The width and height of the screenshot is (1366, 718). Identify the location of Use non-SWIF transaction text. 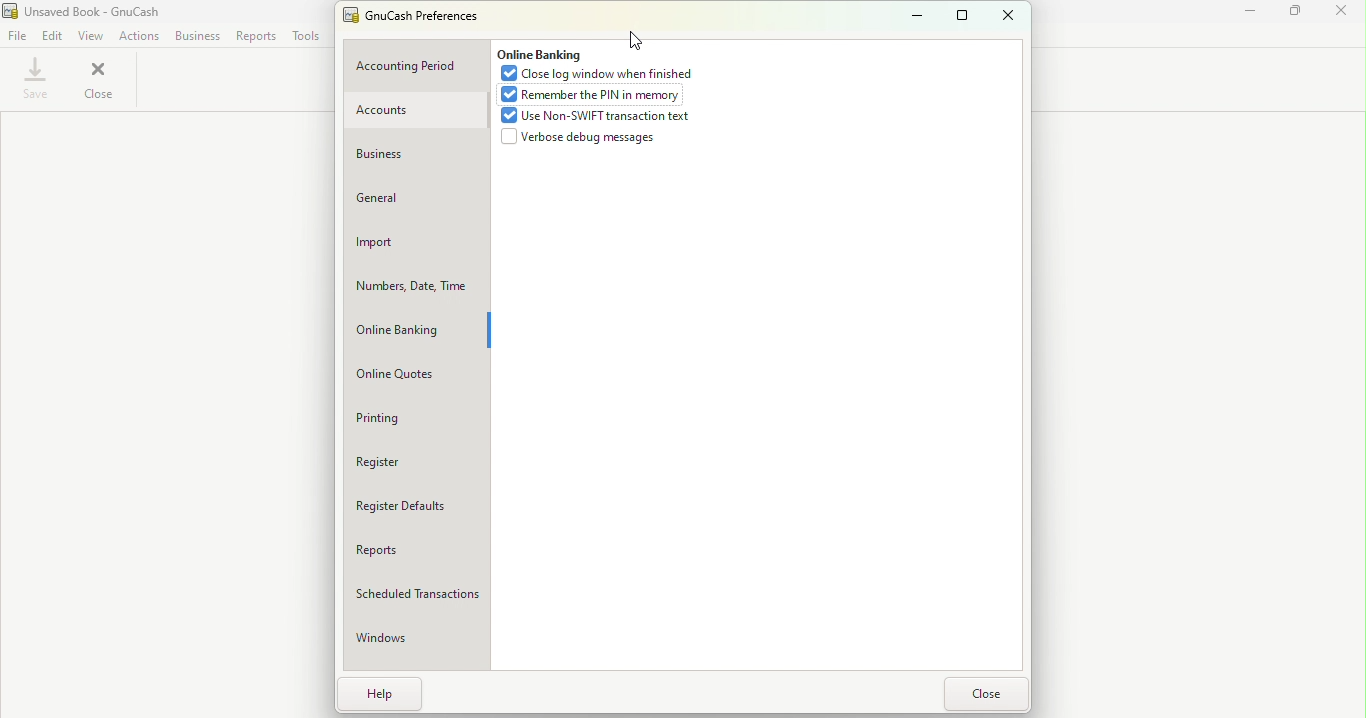
(594, 117).